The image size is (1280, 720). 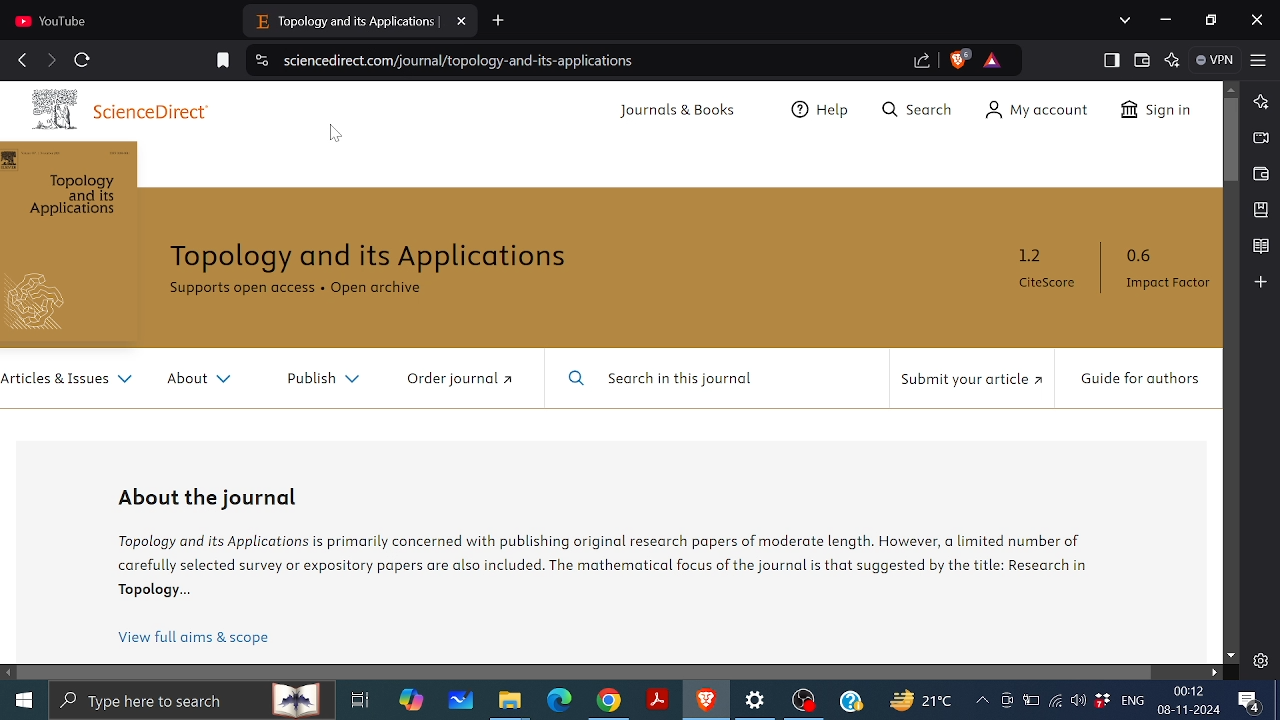 I want to click on Move up, so click(x=1231, y=88).